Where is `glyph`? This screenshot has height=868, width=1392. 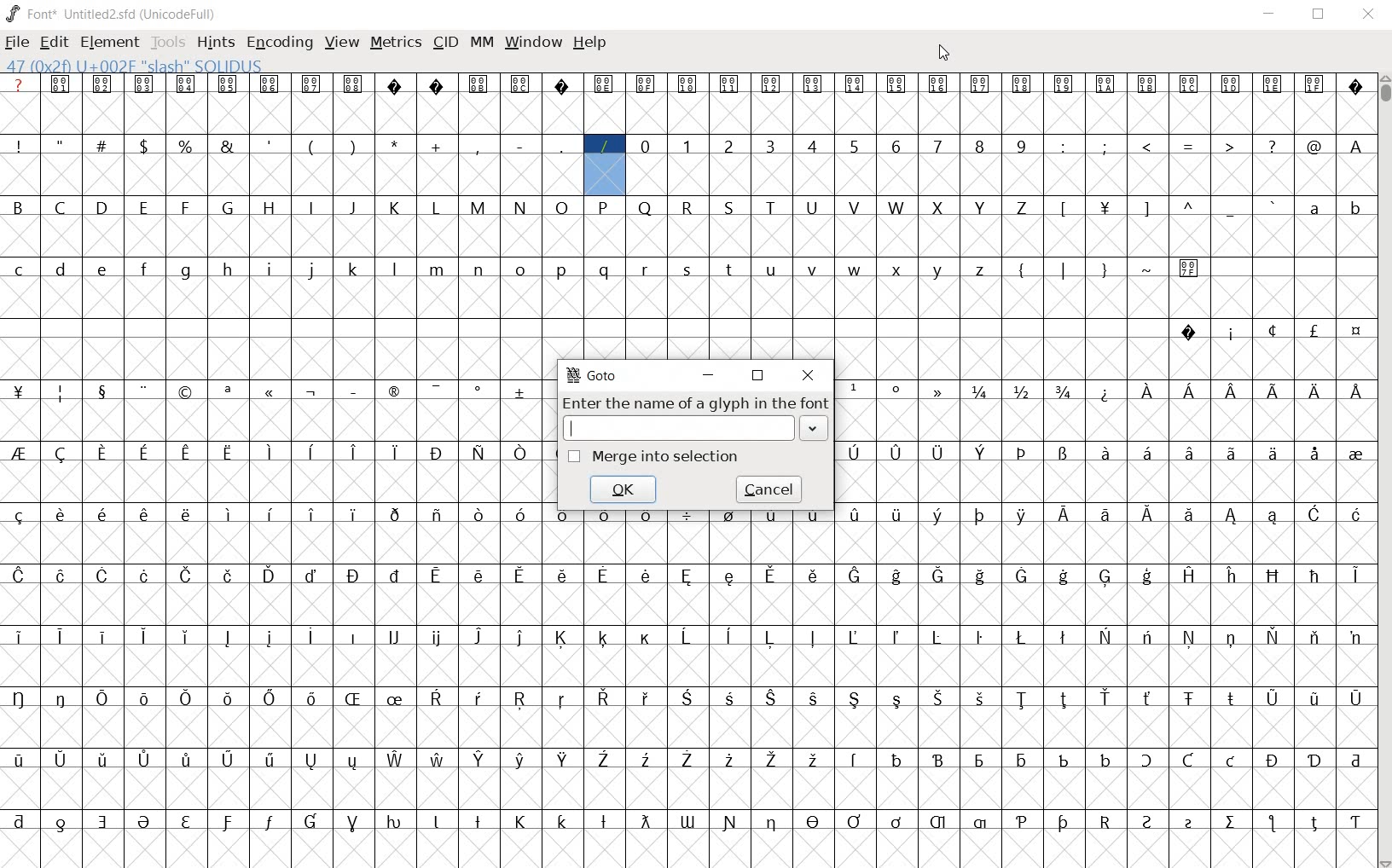
glyph is located at coordinates (1106, 452).